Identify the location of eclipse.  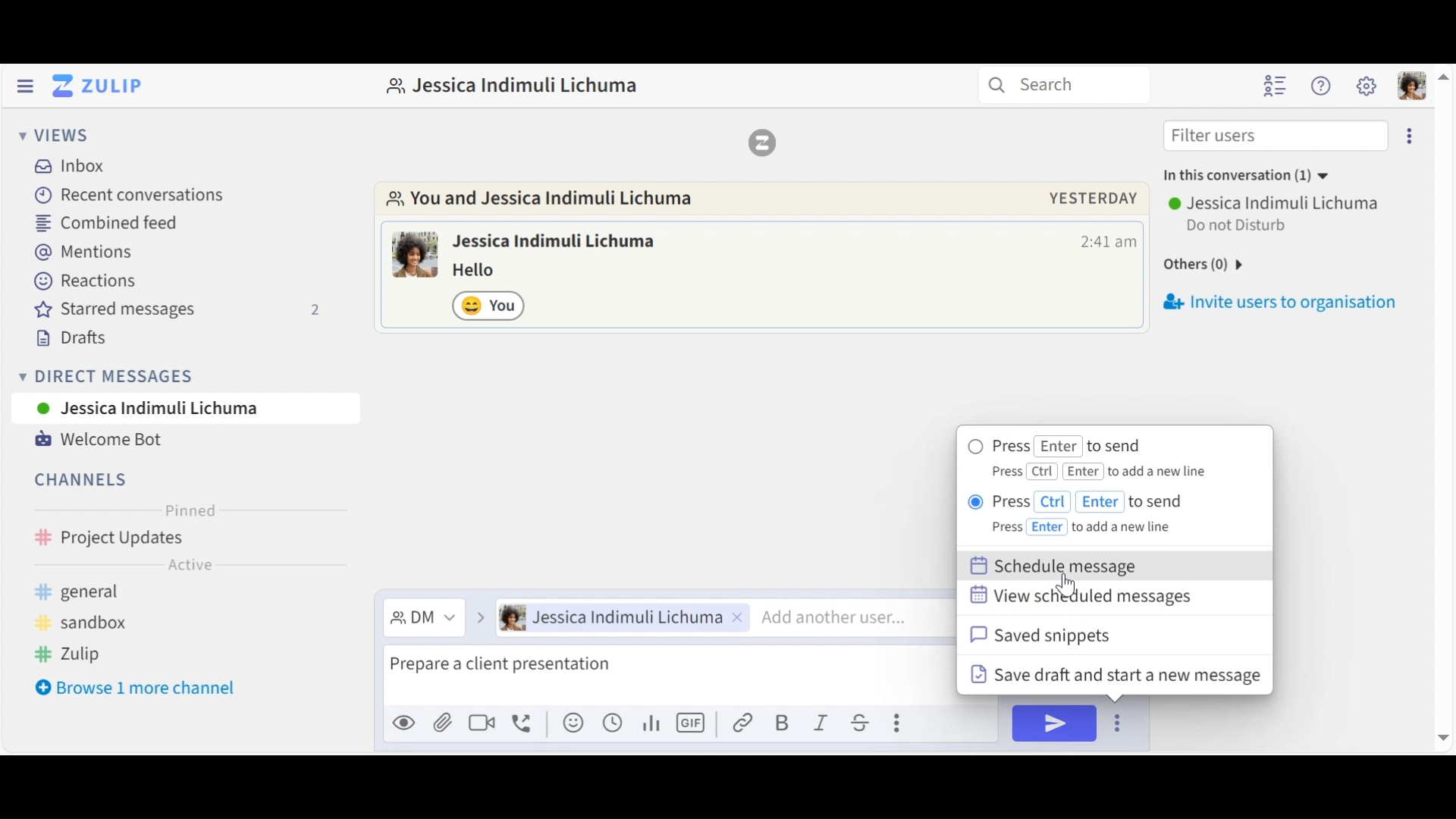
(1412, 135).